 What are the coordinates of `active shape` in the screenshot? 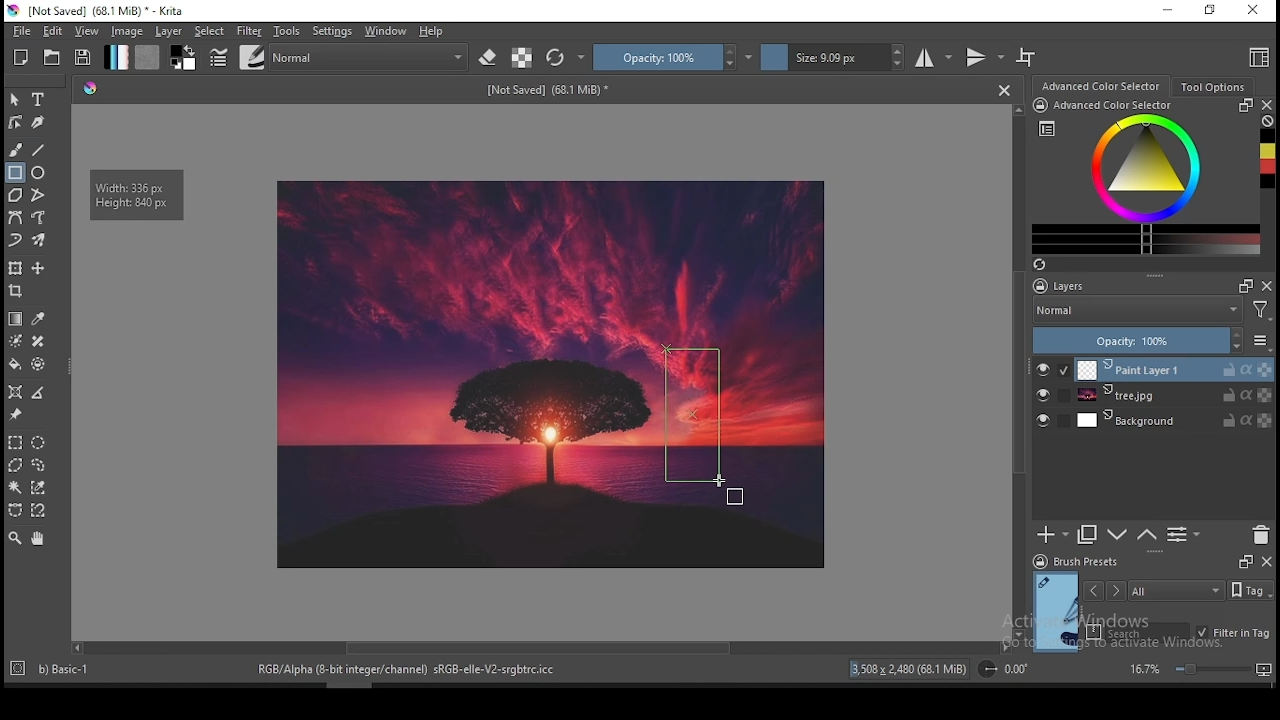 It's located at (689, 417).